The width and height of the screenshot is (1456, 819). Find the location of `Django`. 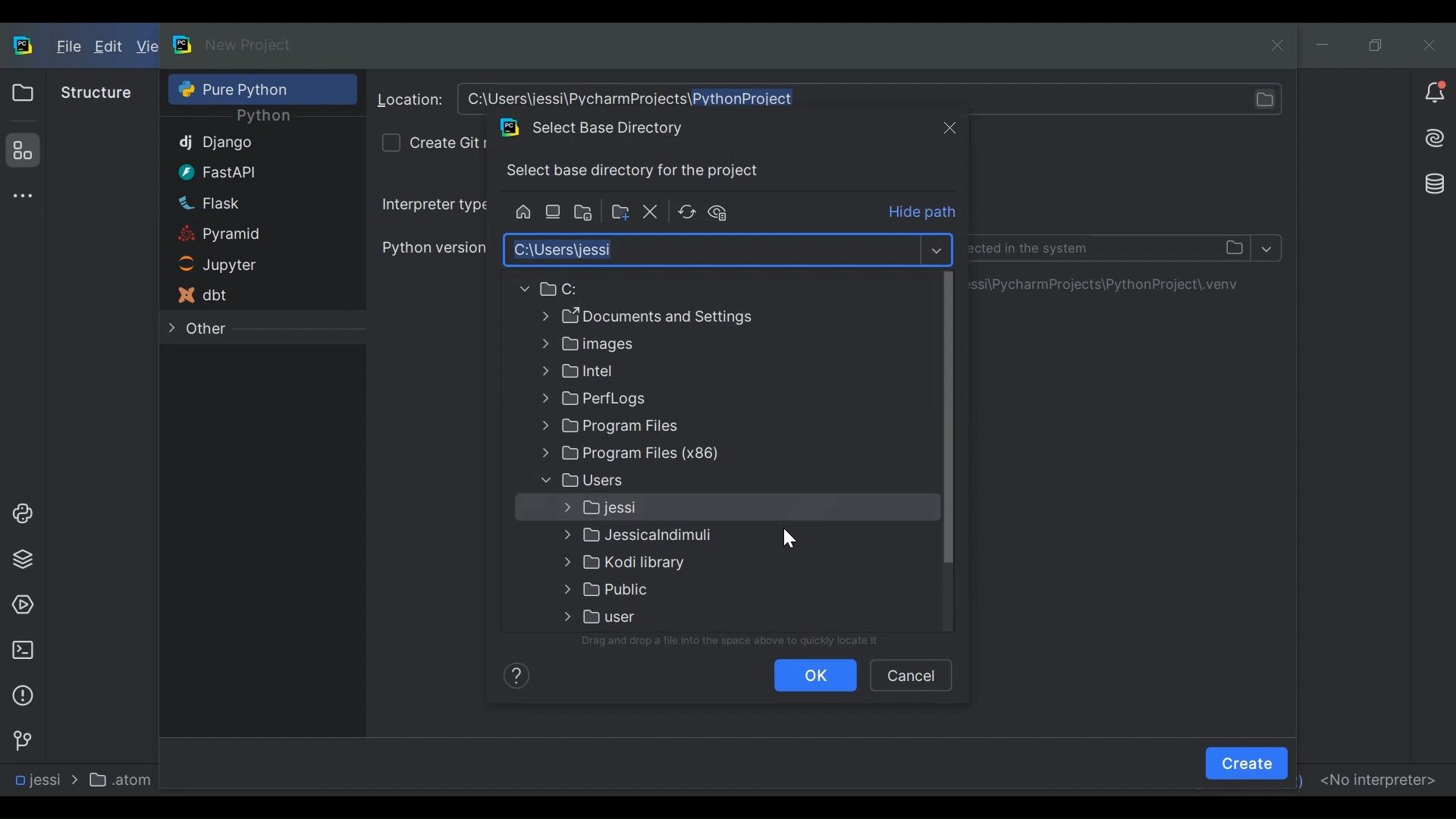

Django is located at coordinates (243, 144).